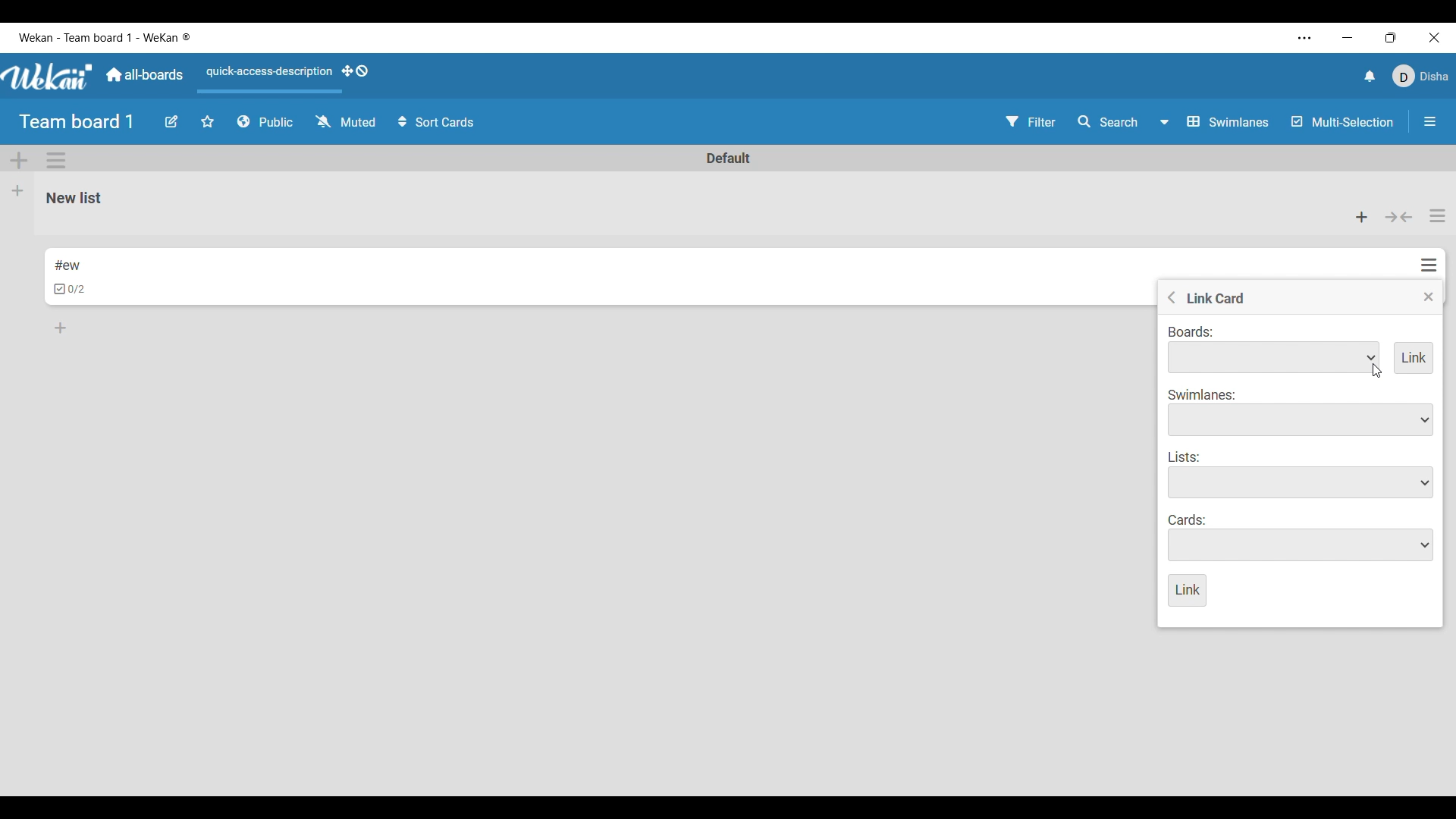 The image size is (1456, 819). I want to click on Board title, so click(77, 122).